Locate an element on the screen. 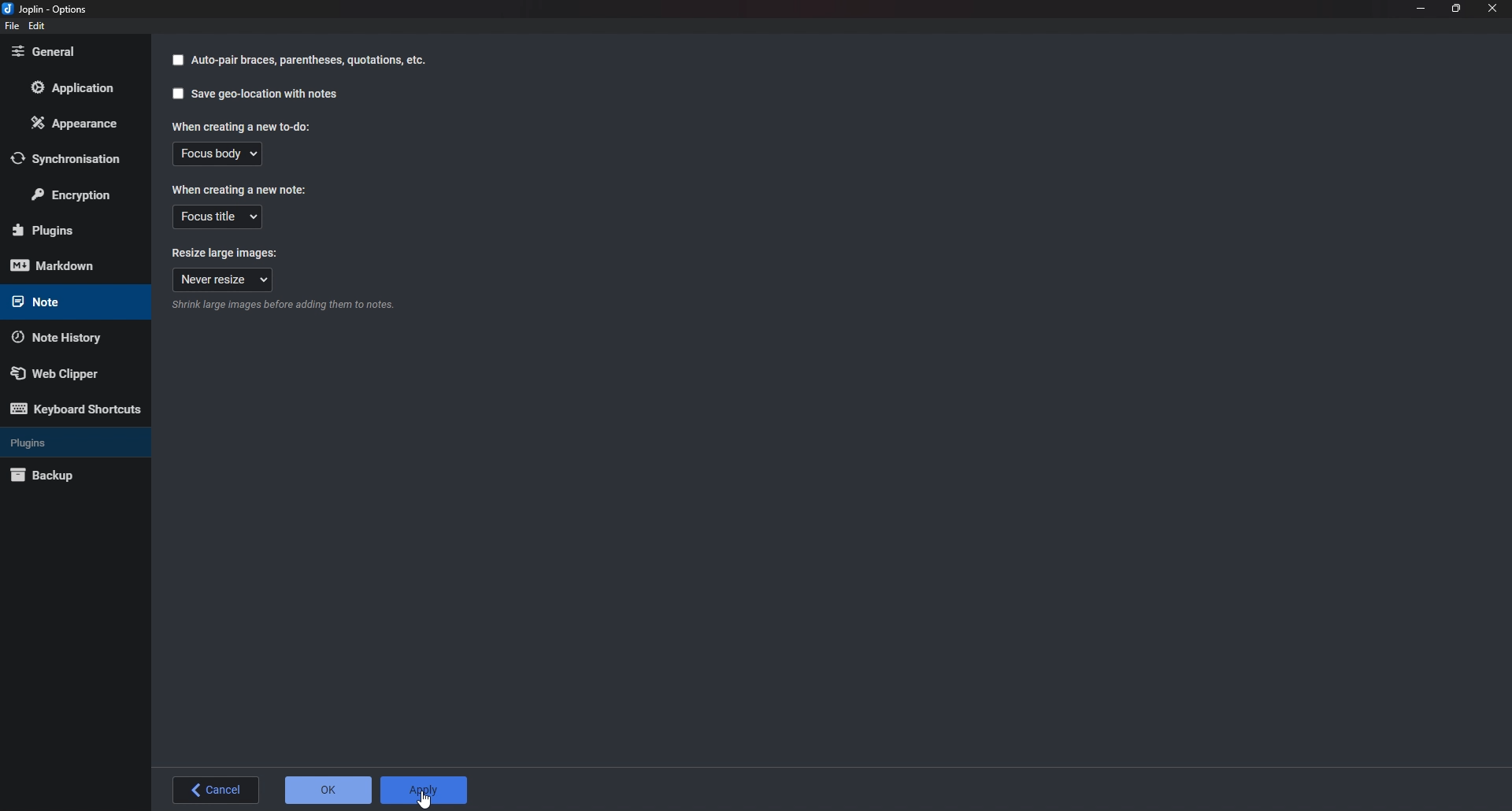 This screenshot has width=1512, height=811. Plugins is located at coordinates (68, 442).